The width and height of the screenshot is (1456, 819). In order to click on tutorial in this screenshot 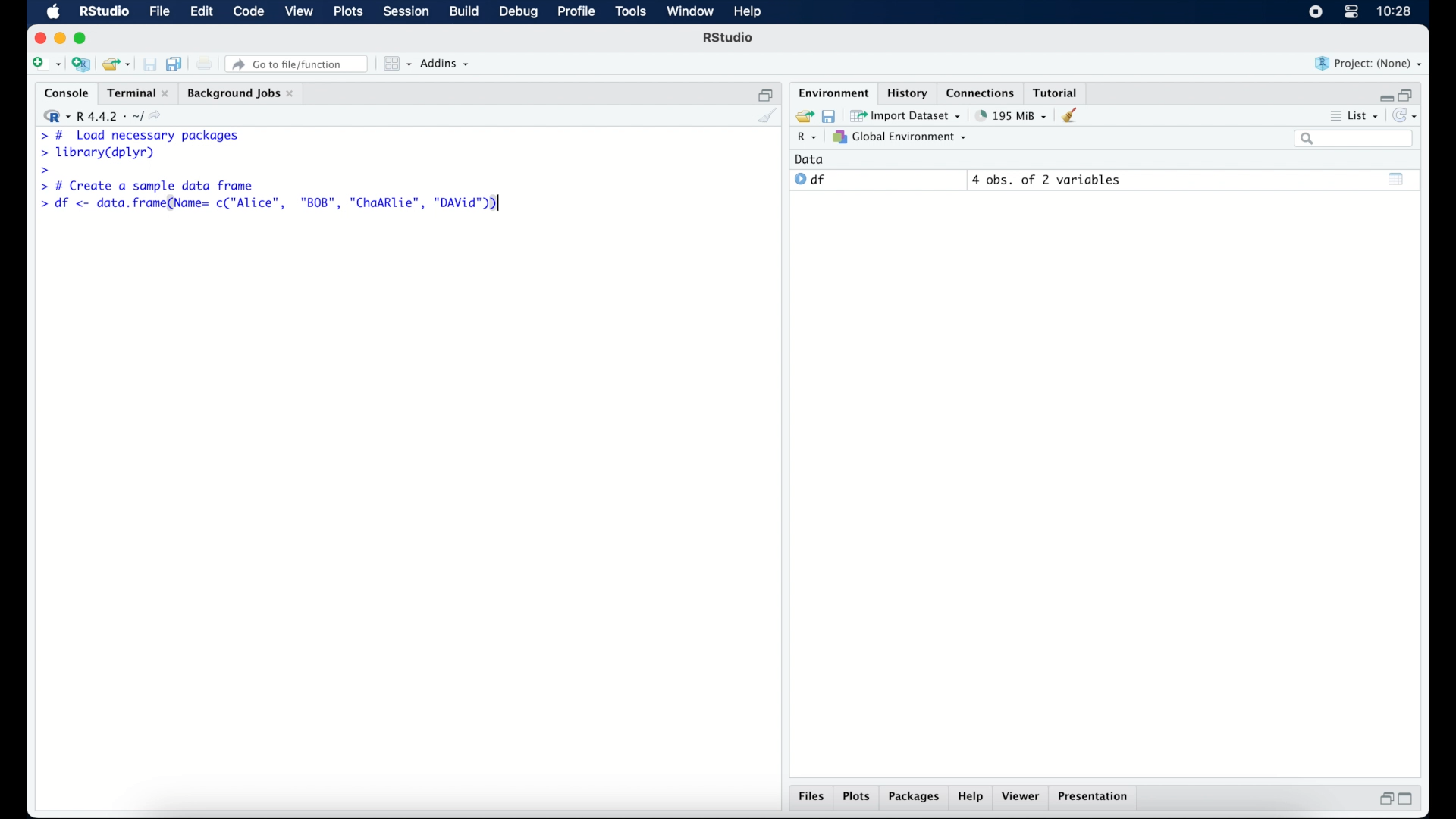, I will do `click(1059, 92)`.